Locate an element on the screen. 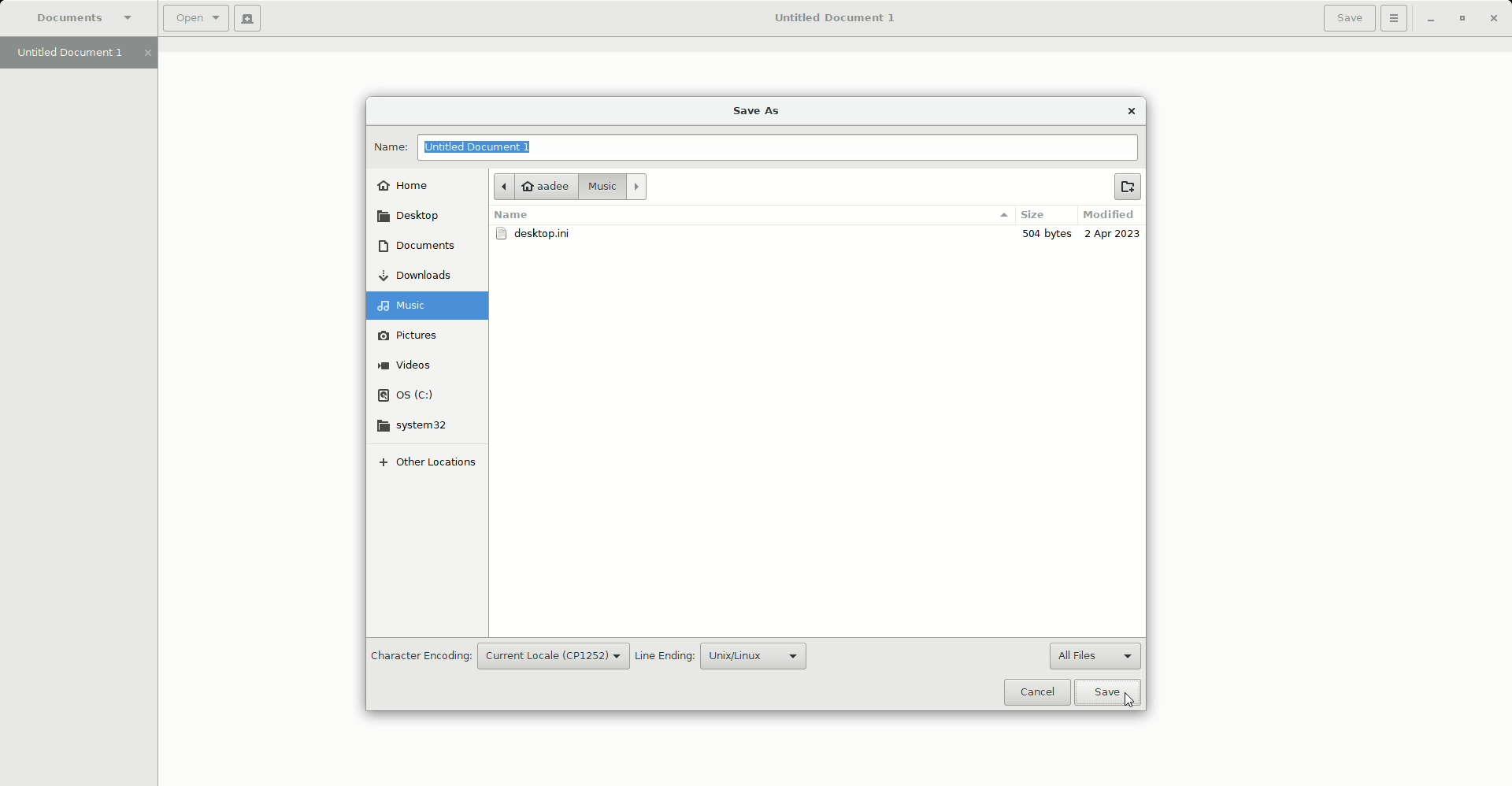  Name is located at coordinates (388, 146).